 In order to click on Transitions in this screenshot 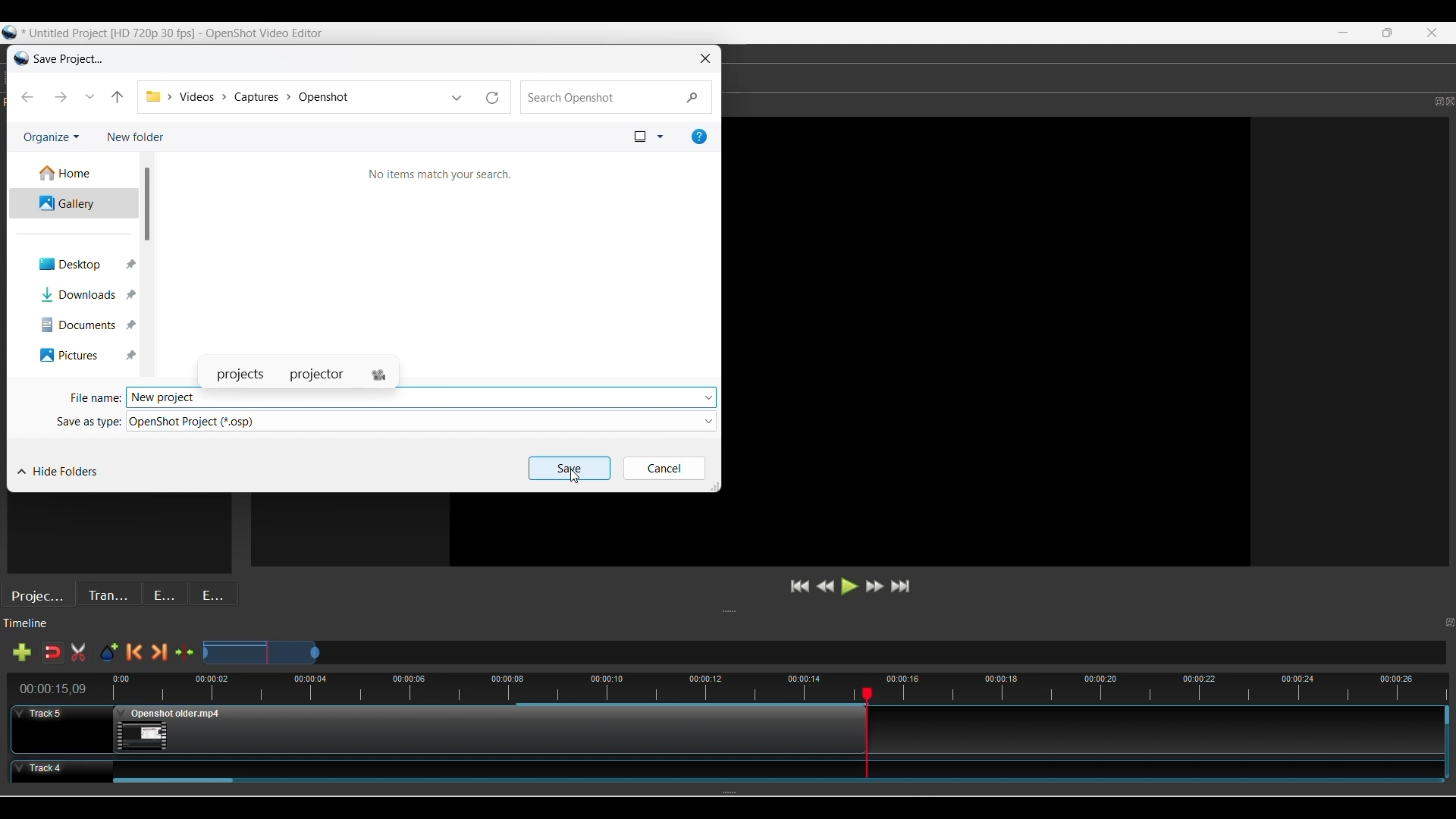, I will do `click(108, 594)`.